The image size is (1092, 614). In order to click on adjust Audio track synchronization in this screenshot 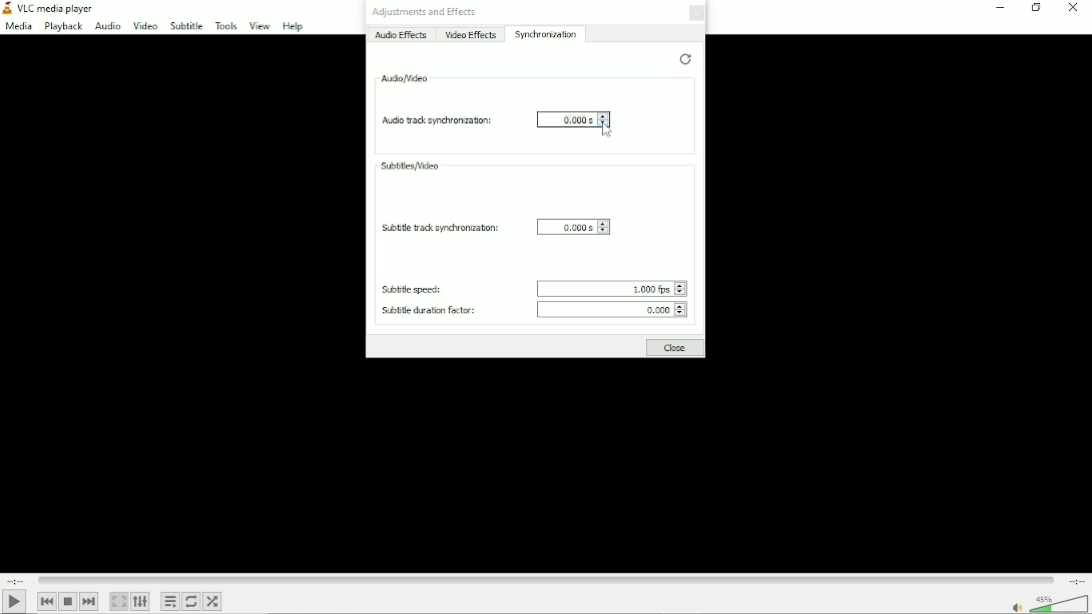, I will do `click(604, 119)`.